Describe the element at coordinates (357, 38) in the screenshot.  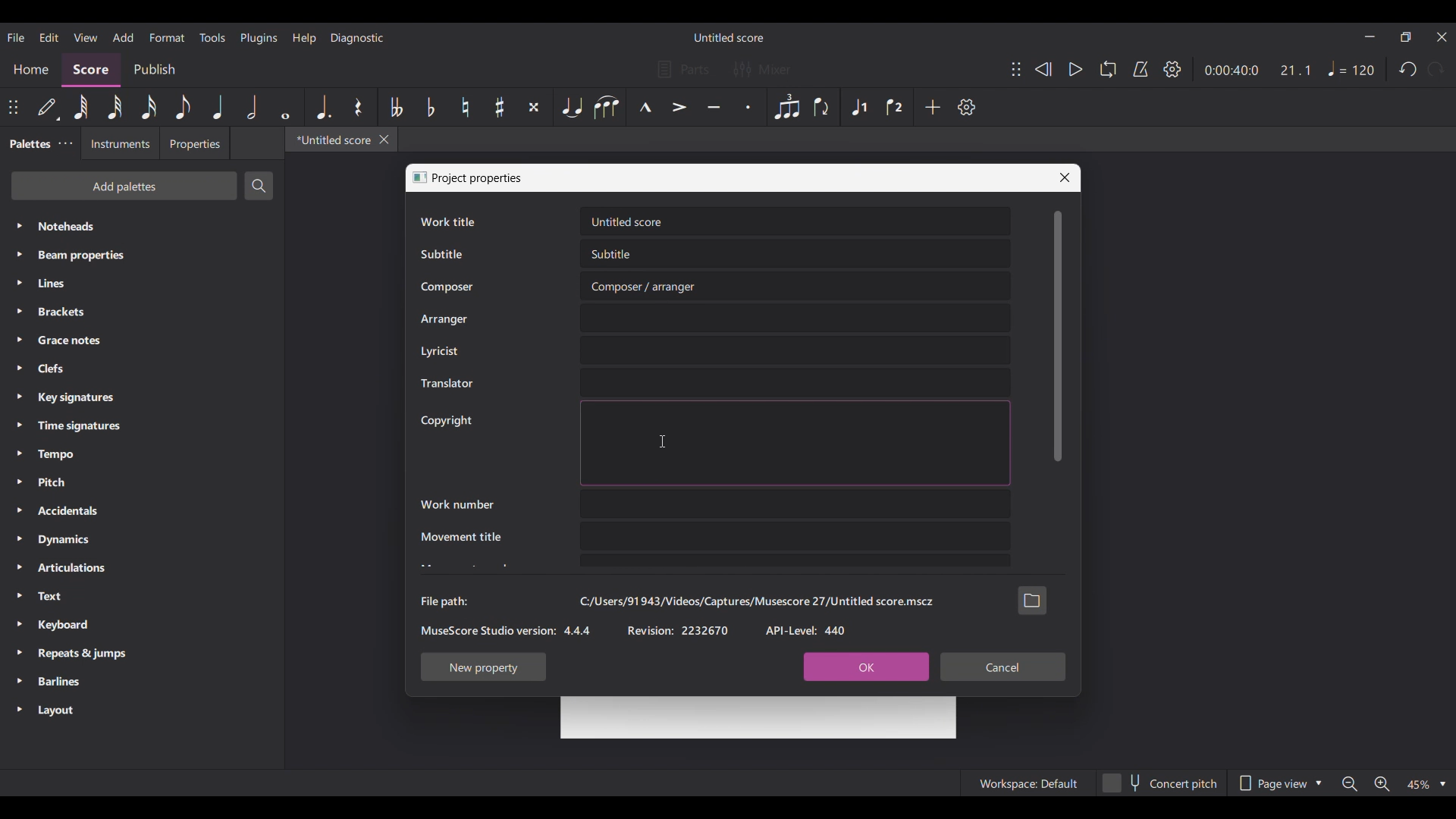
I see `Diagnostic menu` at that location.